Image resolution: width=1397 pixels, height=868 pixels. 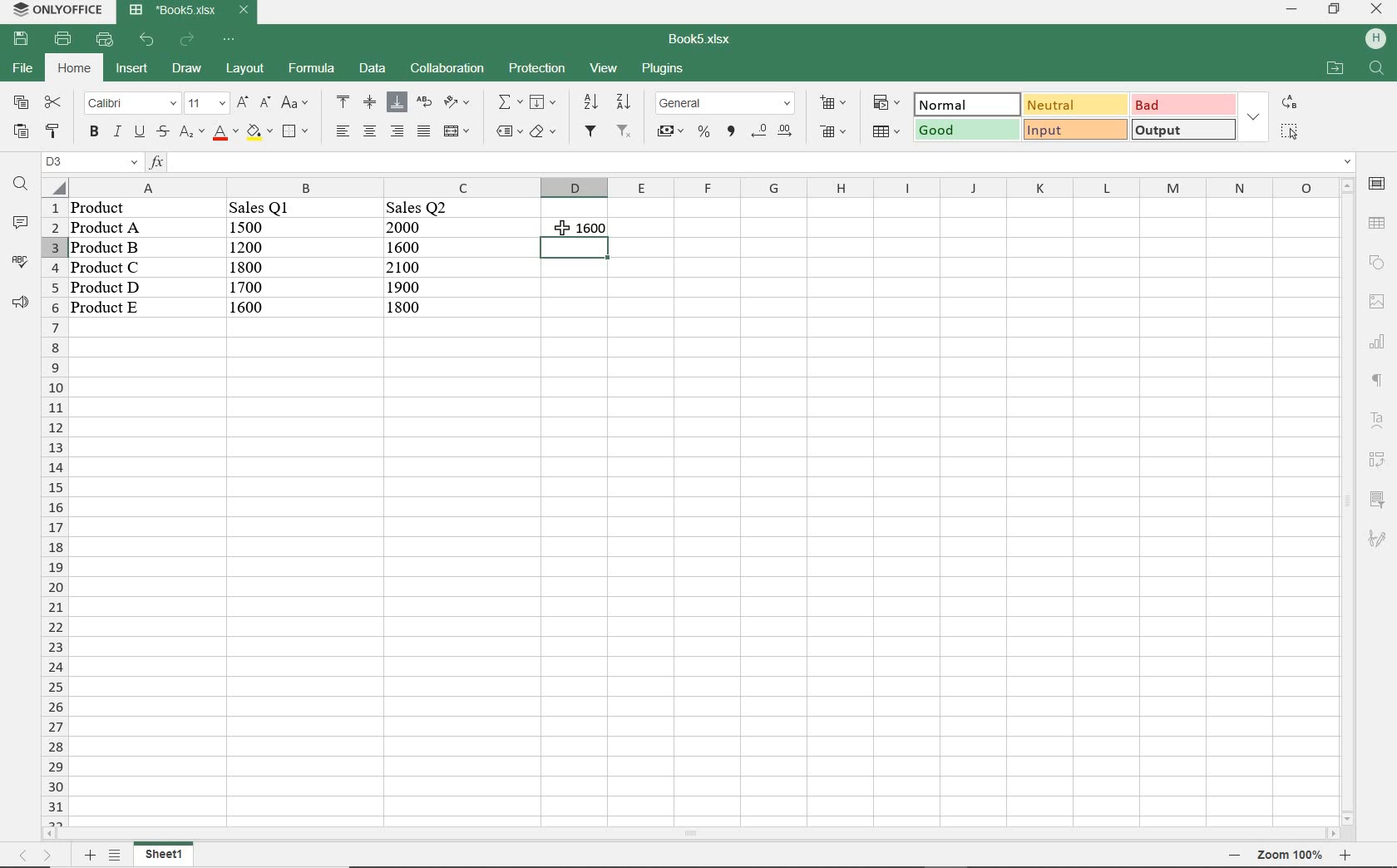 I want to click on delete cells, so click(x=833, y=131).